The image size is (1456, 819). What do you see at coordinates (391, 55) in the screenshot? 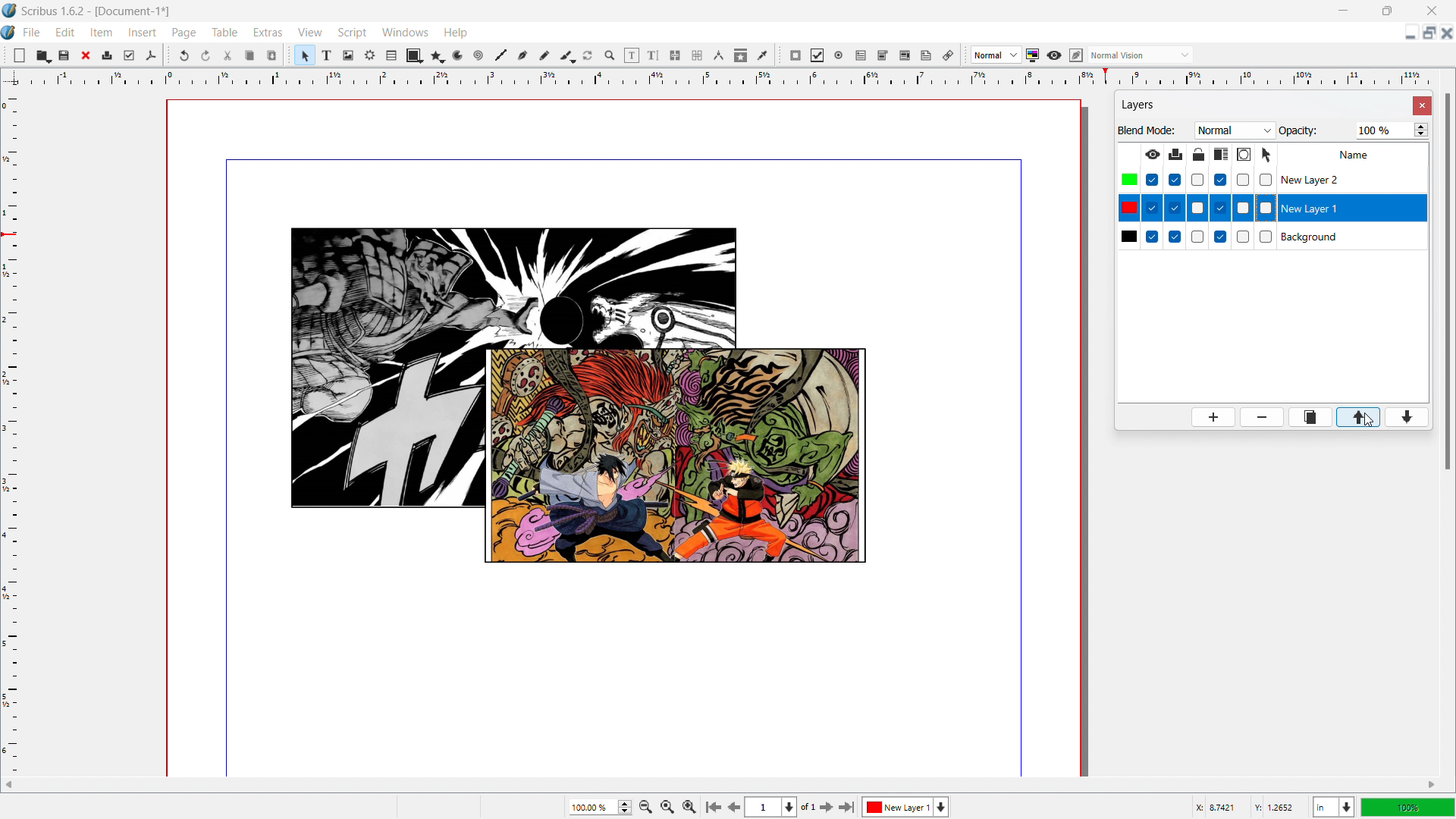
I see `table` at bounding box center [391, 55].